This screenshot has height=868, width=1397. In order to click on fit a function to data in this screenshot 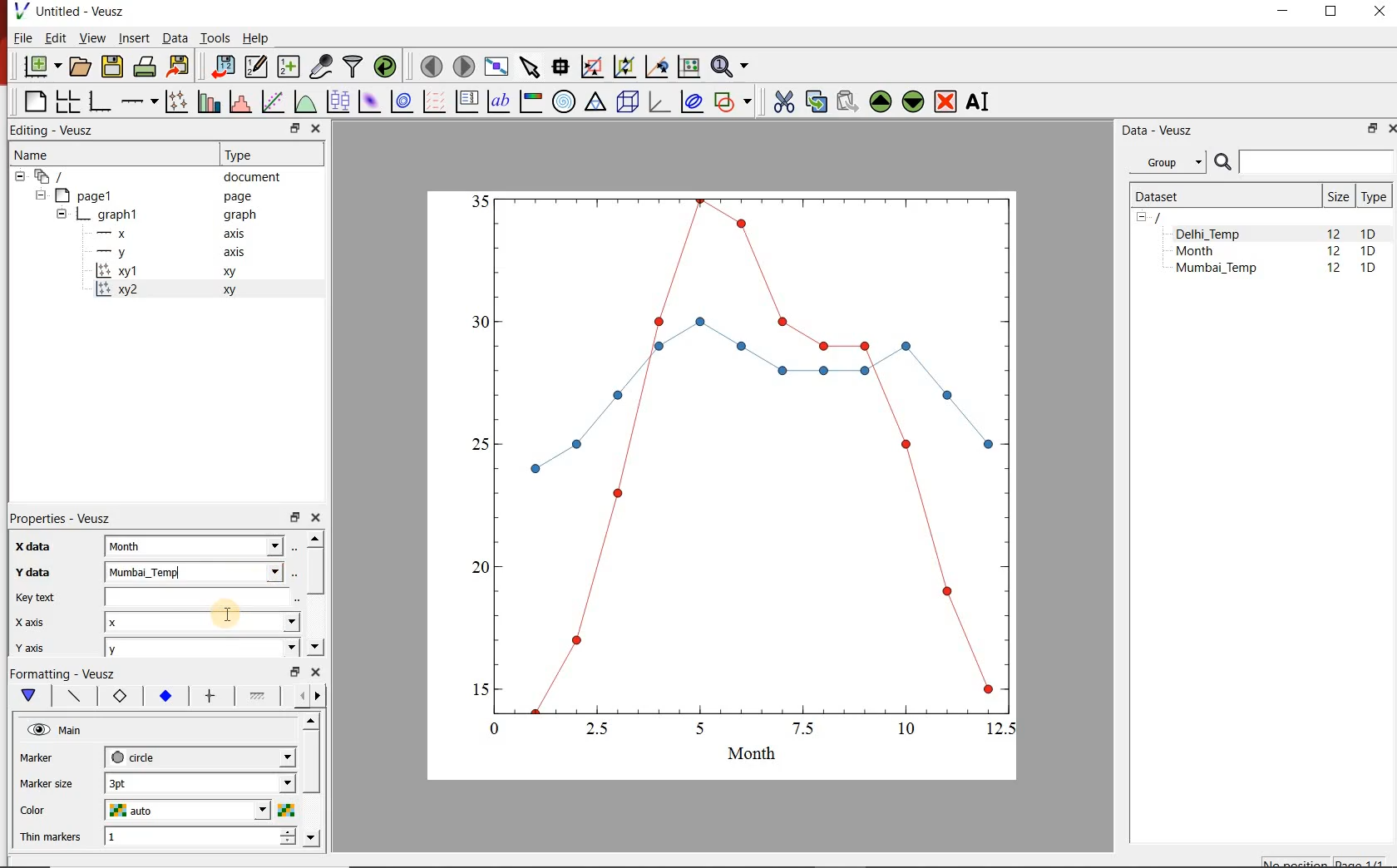, I will do `click(272, 101)`.